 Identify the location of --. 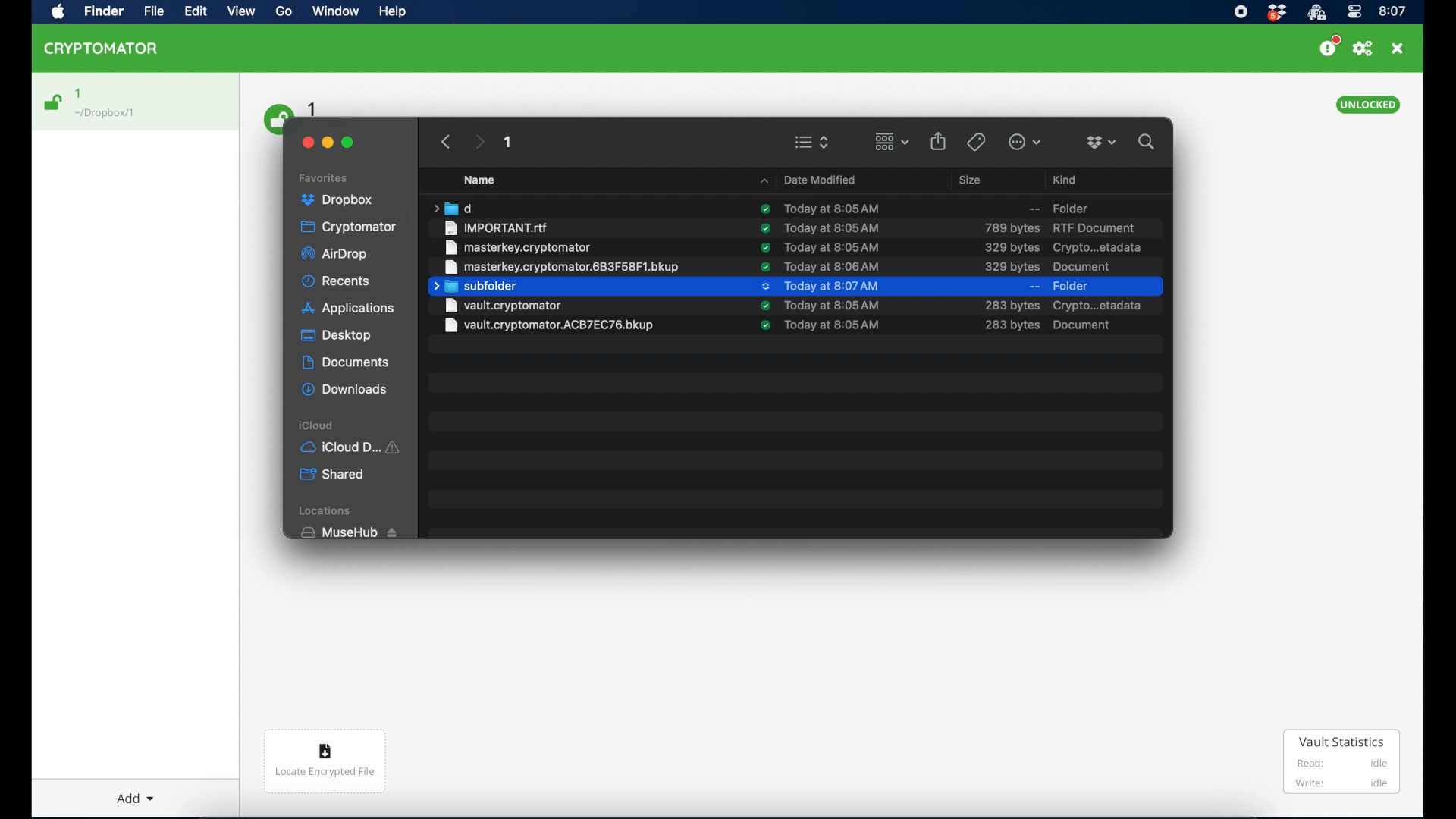
(1034, 287).